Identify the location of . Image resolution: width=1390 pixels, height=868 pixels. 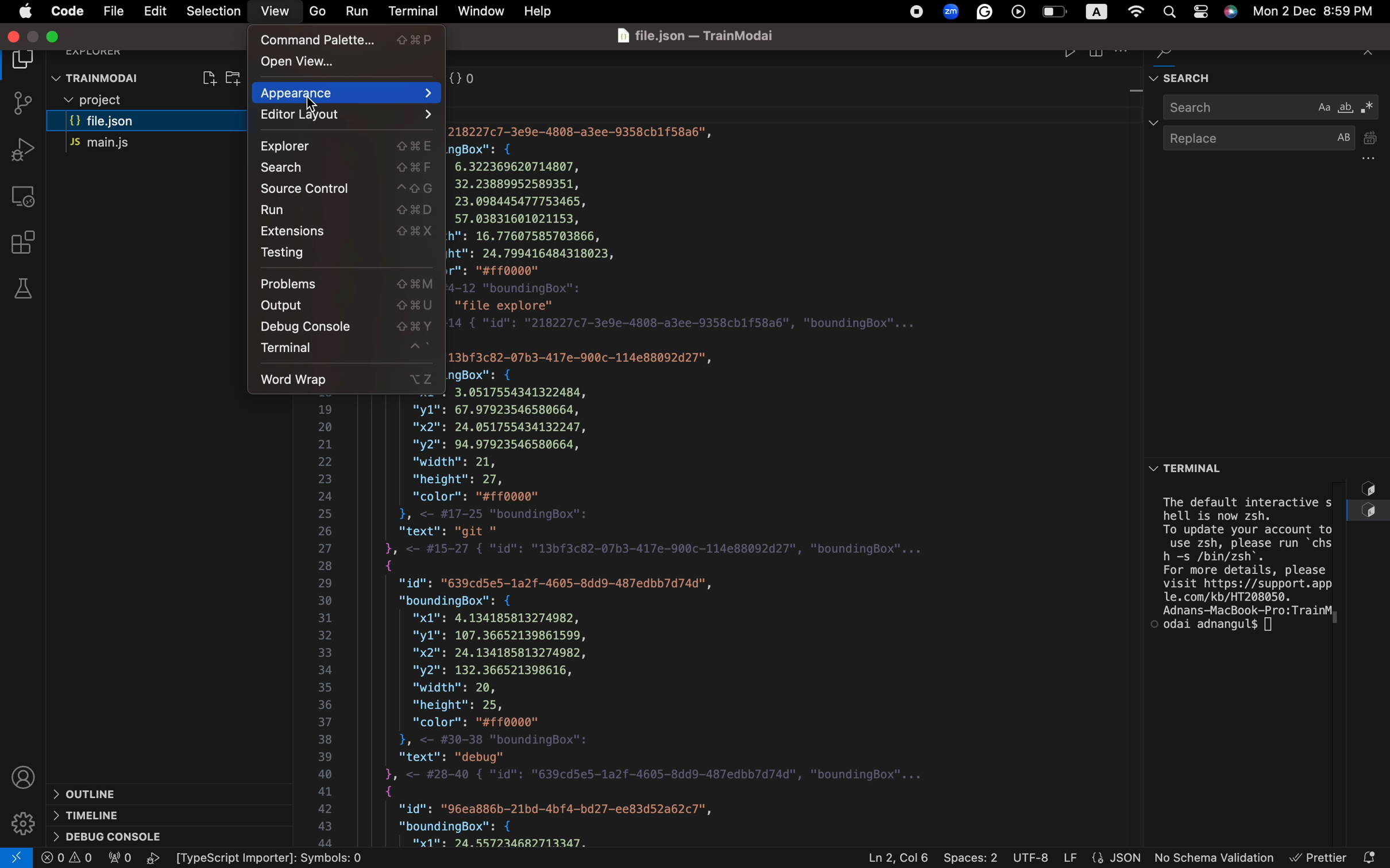
(352, 251).